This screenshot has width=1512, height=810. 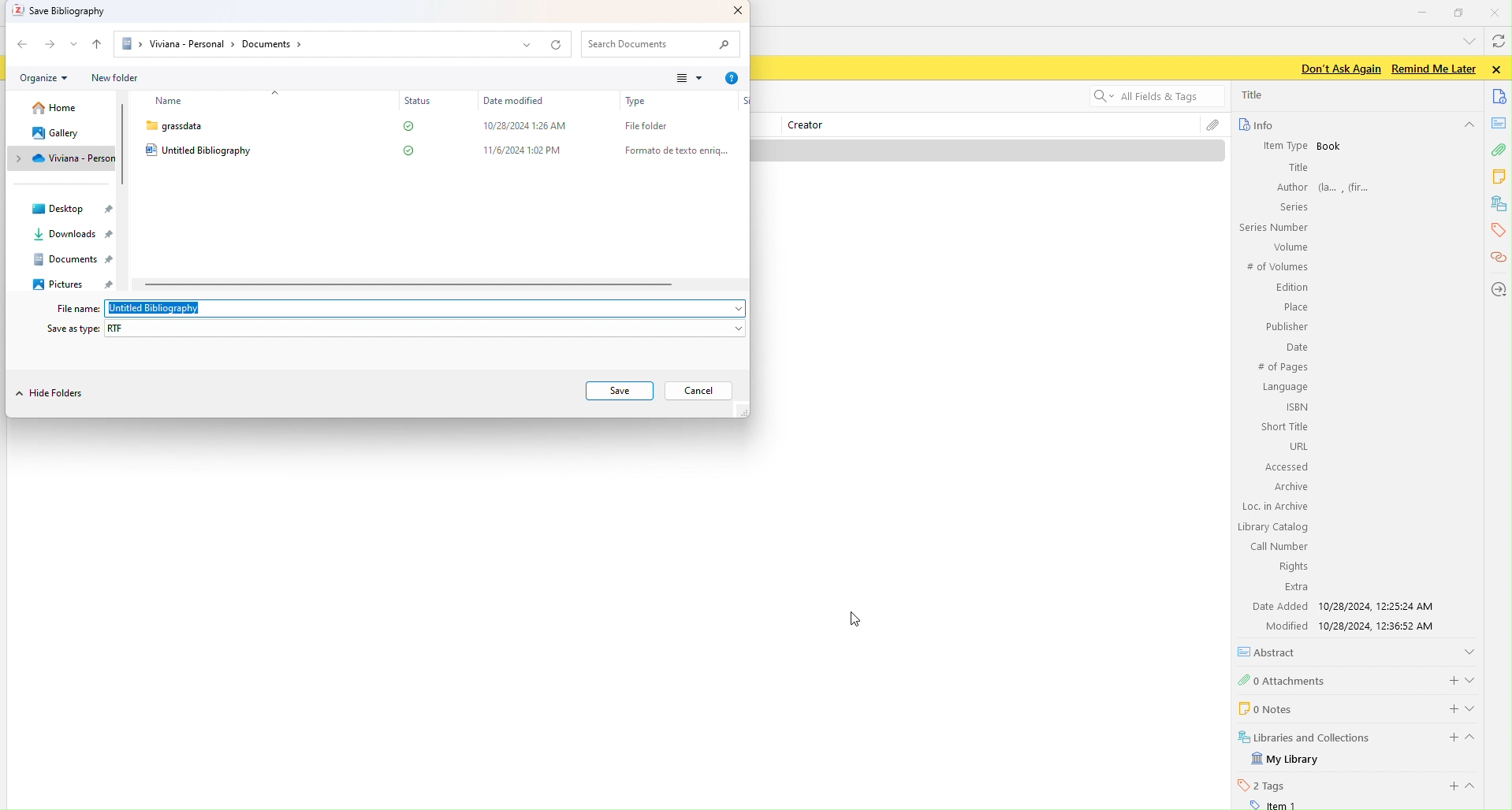 What do you see at coordinates (1496, 230) in the screenshot?
I see `tags` at bounding box center [1496, 230].